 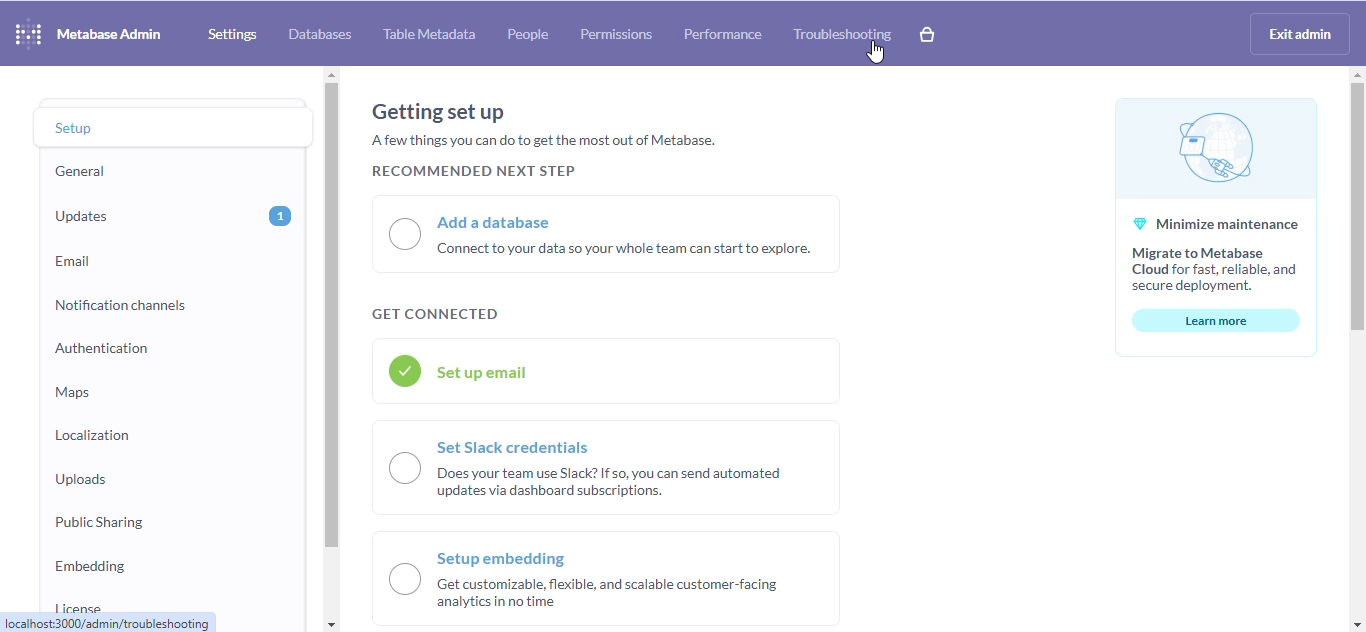 I want to click on uploads, so click(x=81, y=478).